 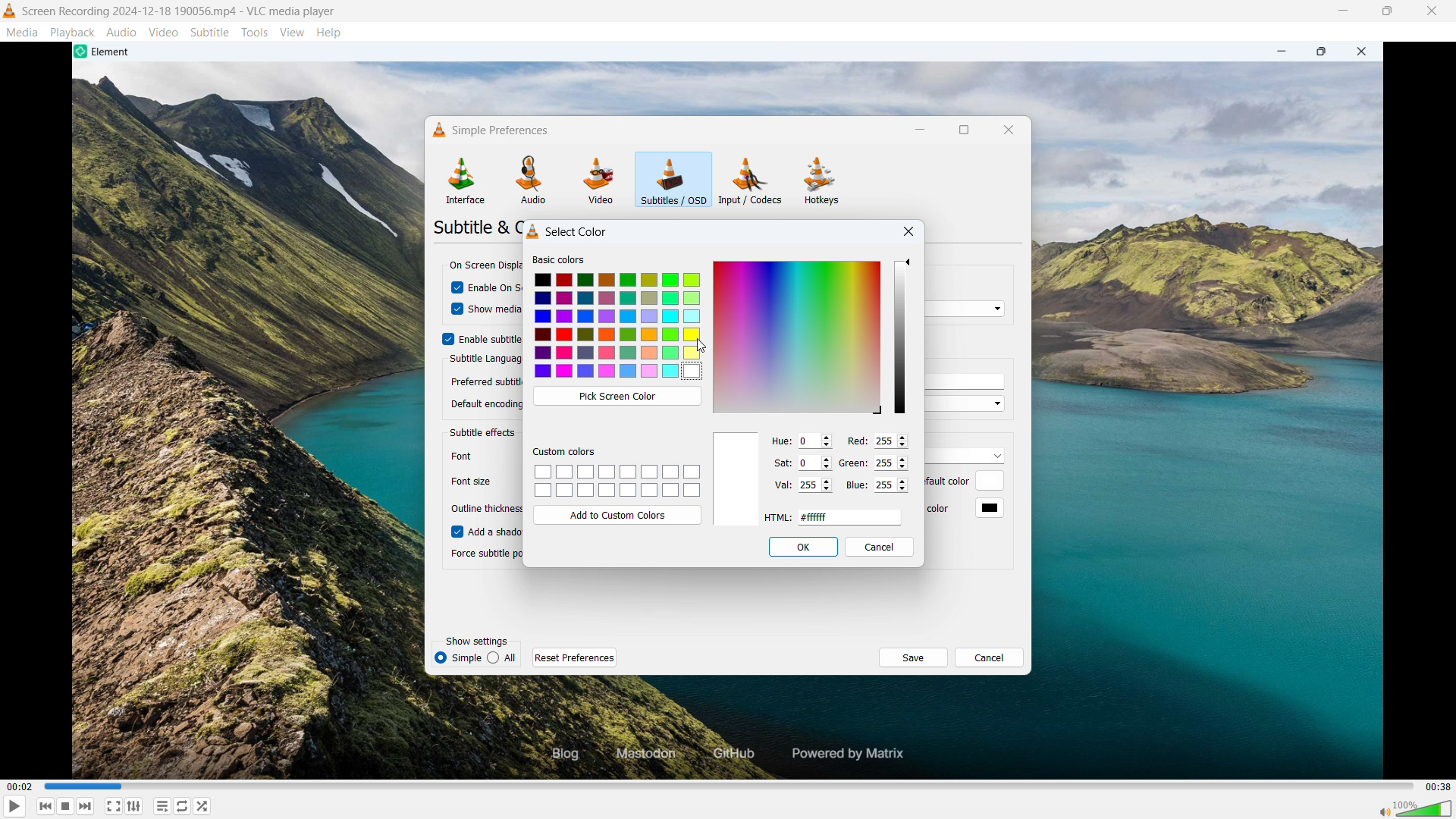 What do you see at coordinates (777, 516) in the screenshot?
I see `HTNL` at bounding box center [777, 516].